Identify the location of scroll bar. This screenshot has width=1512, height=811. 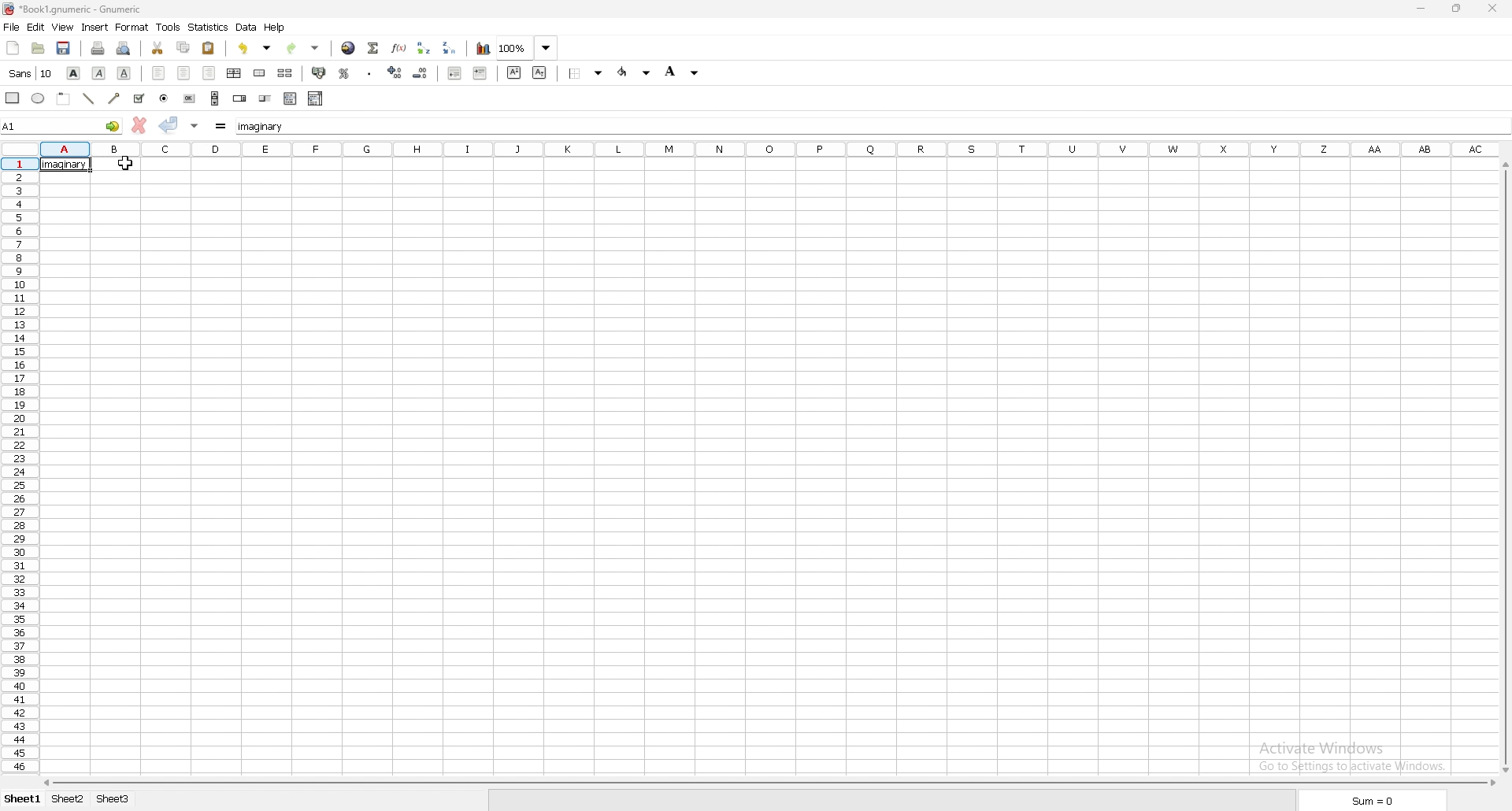
(769, 783).